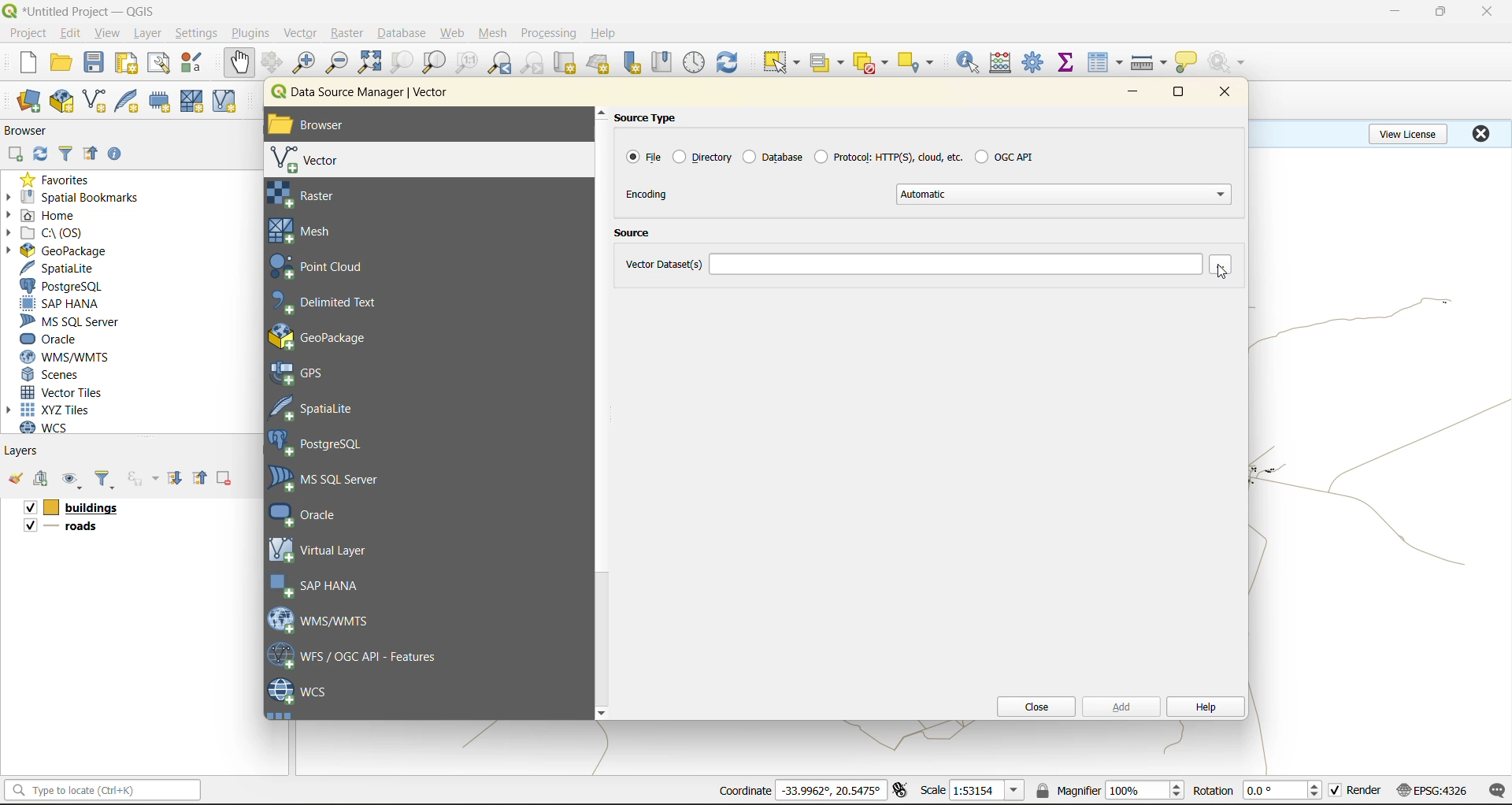  Describe the element at coordinates (175, 478) in the screenshot. I see `expand all` at that location.